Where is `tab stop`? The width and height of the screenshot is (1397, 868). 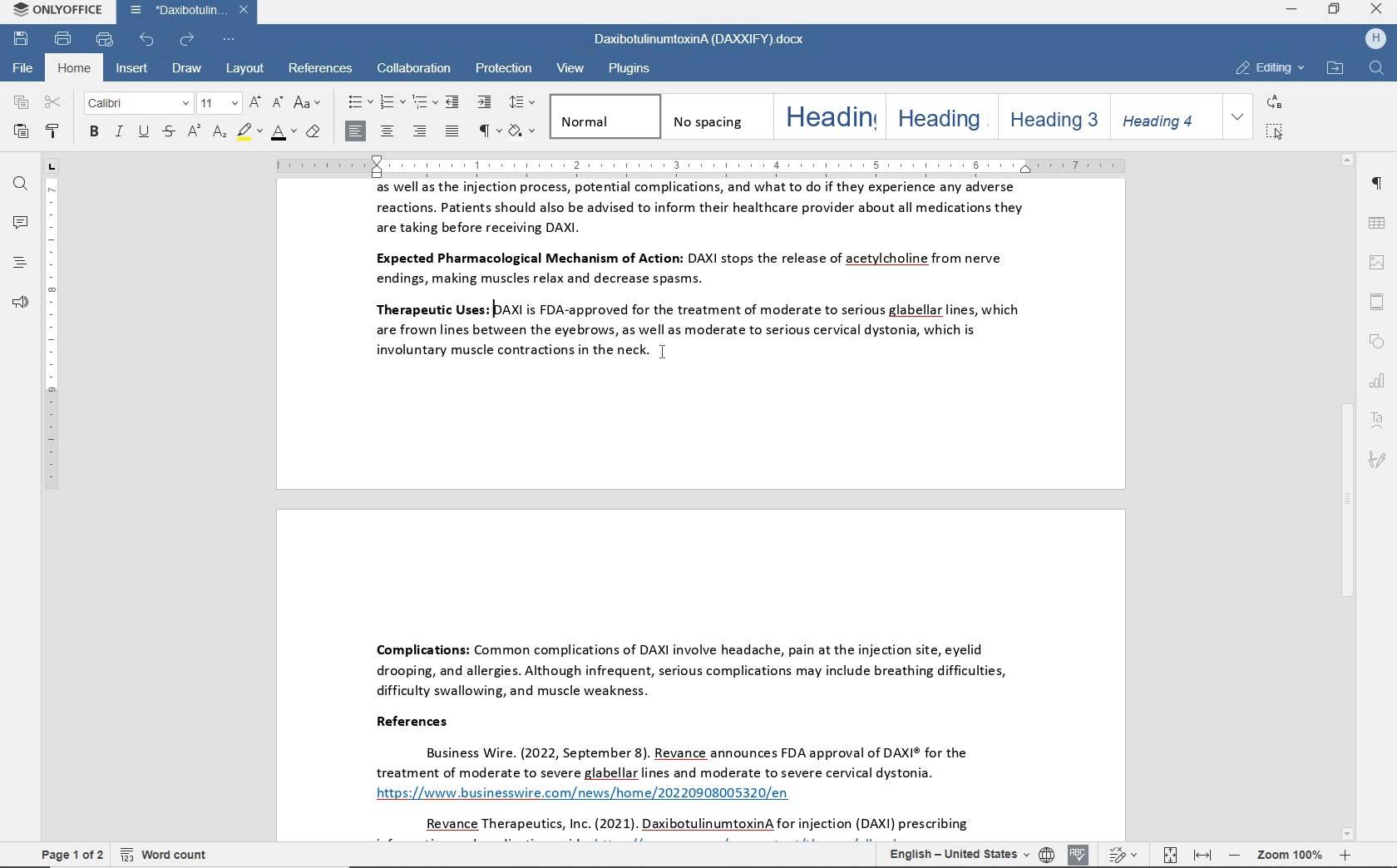
tab stop is located at coordinates (52, 166).